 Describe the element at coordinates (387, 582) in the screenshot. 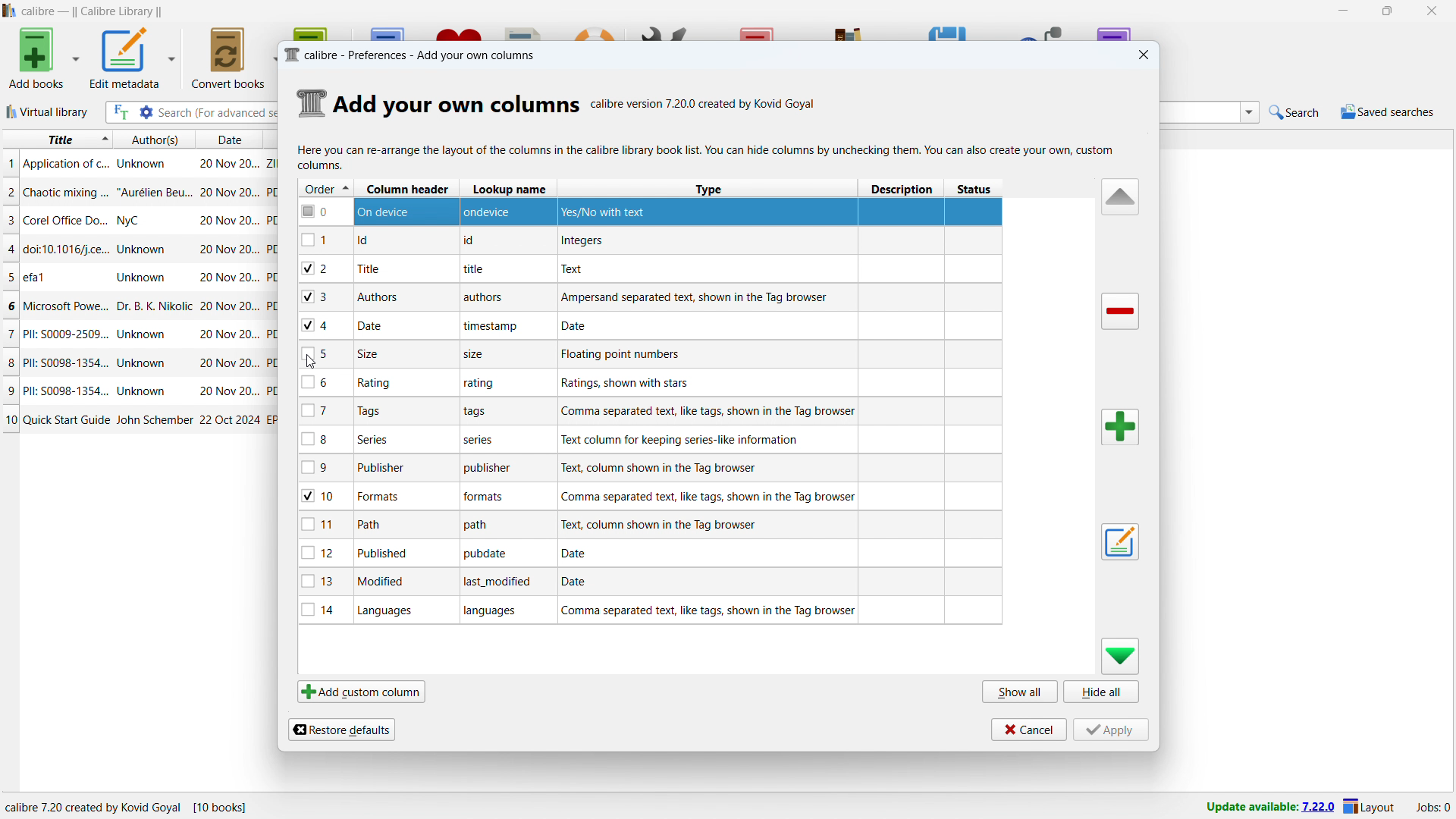

I see `modified` at that location.